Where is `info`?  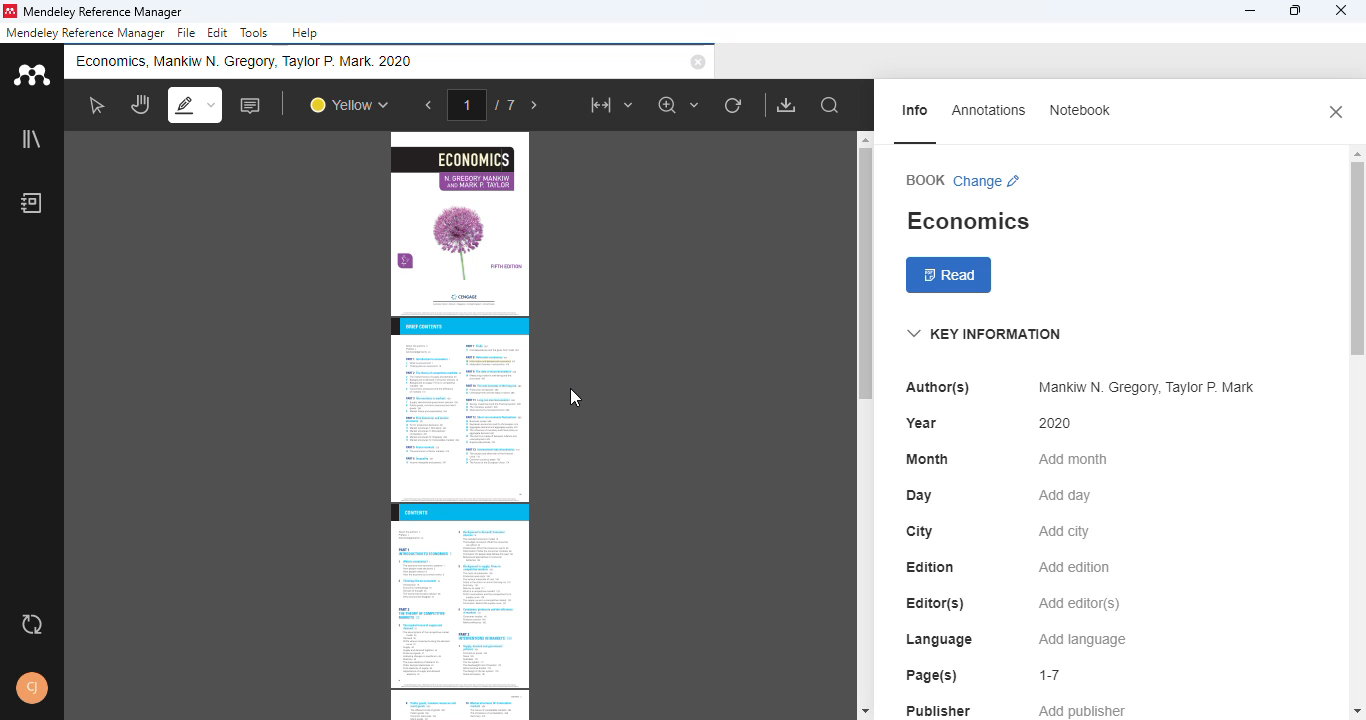
info is located at coordinates (917, 110).